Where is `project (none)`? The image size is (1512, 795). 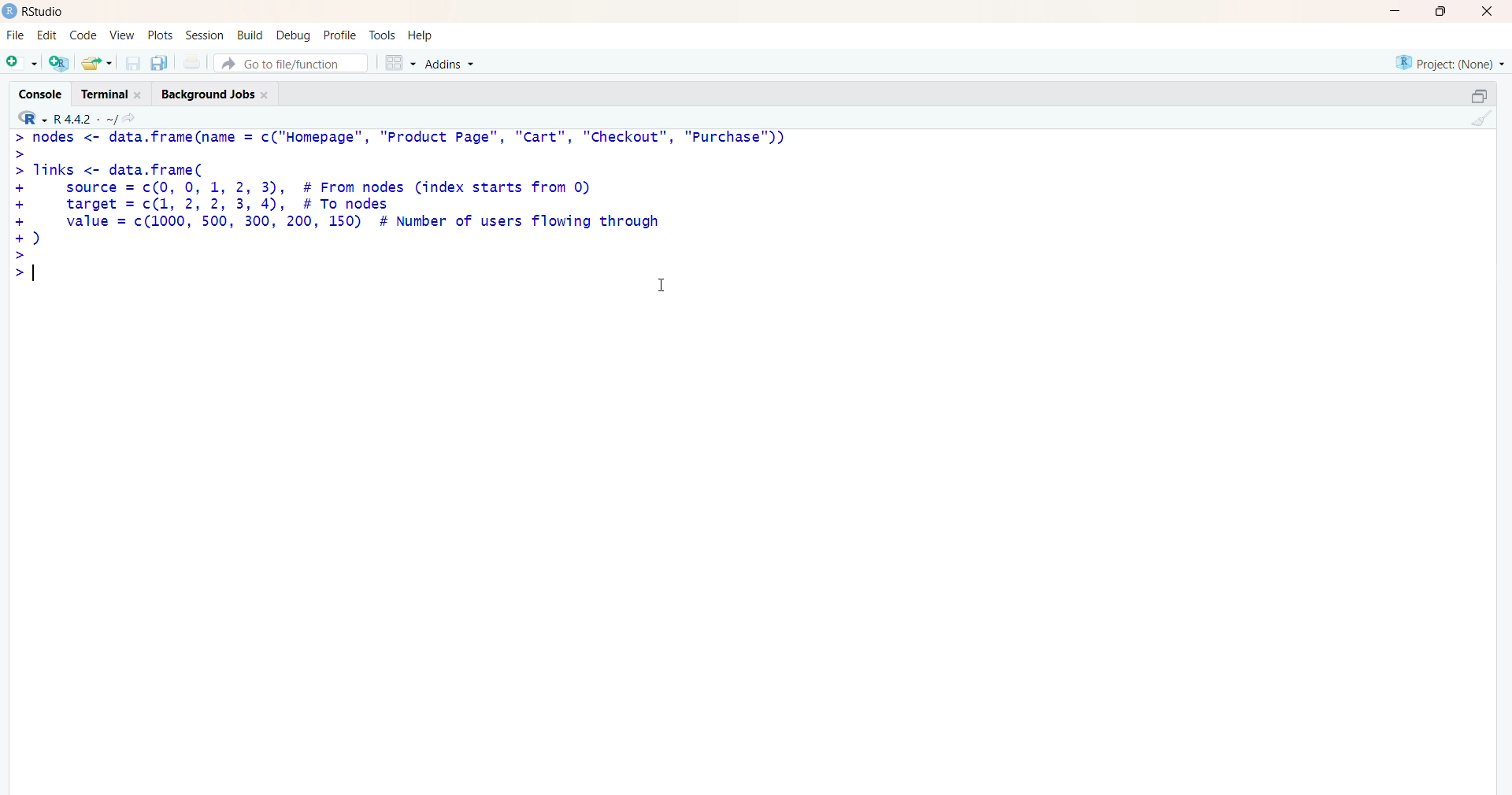 project (none) is located at coordinates (1440, 62).